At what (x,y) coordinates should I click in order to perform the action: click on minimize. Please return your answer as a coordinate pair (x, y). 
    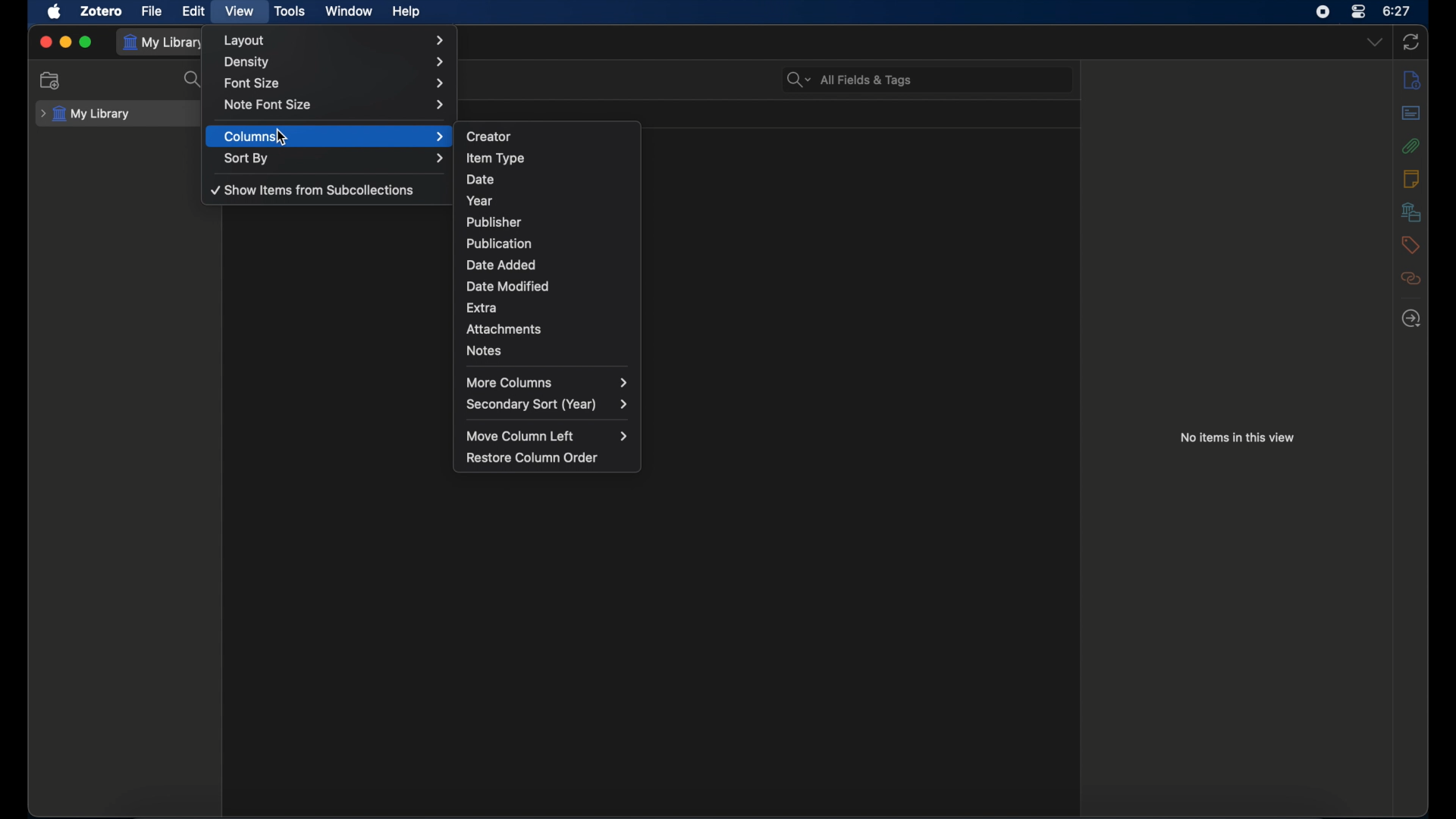
    Looking at the image, I should click on (67, 42).